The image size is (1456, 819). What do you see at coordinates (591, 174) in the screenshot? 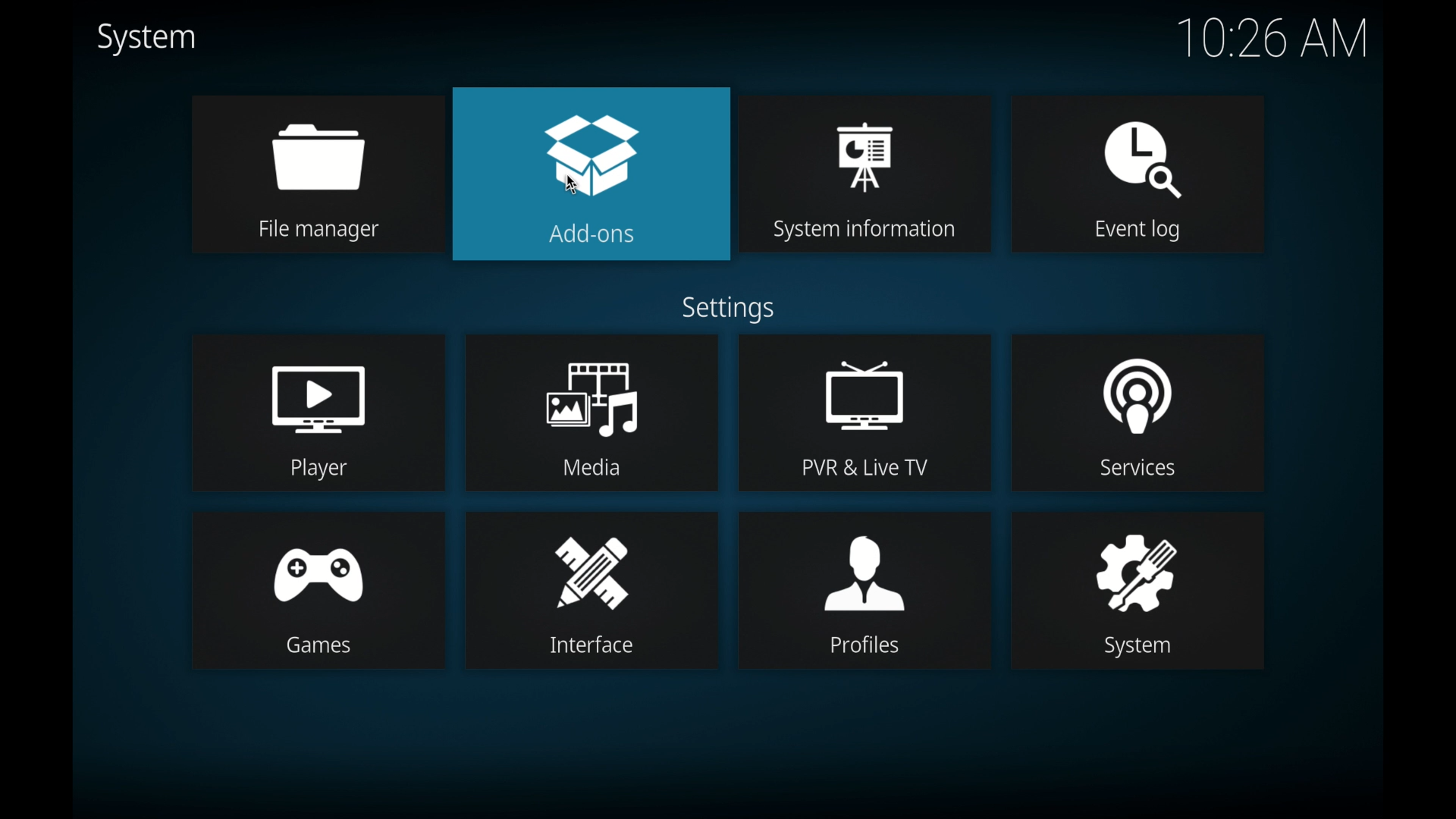
I see `add-on` at bounding box center [591, 174].